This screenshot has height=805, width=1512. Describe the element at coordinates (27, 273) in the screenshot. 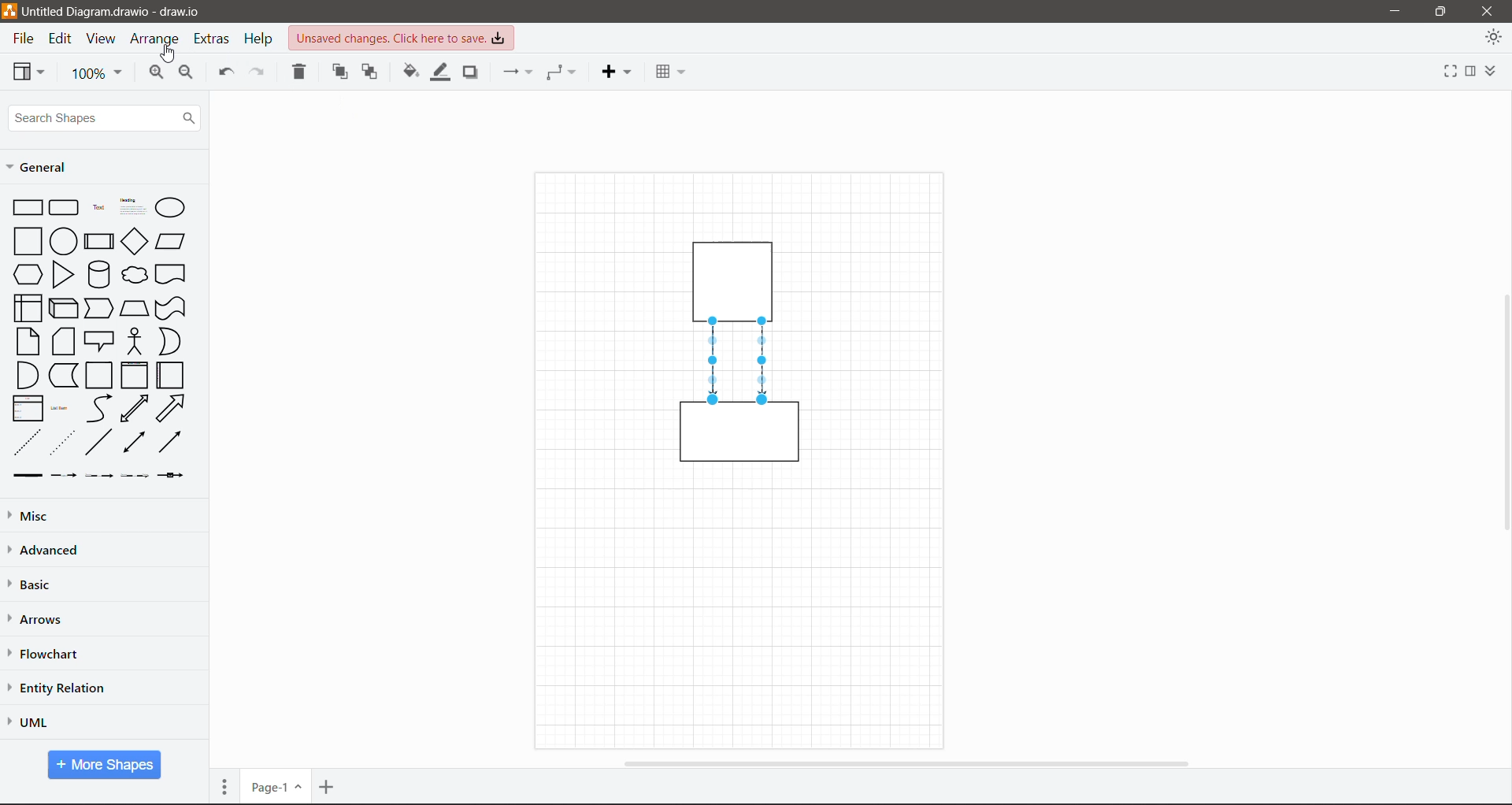

I see `Hexagon` at that location.